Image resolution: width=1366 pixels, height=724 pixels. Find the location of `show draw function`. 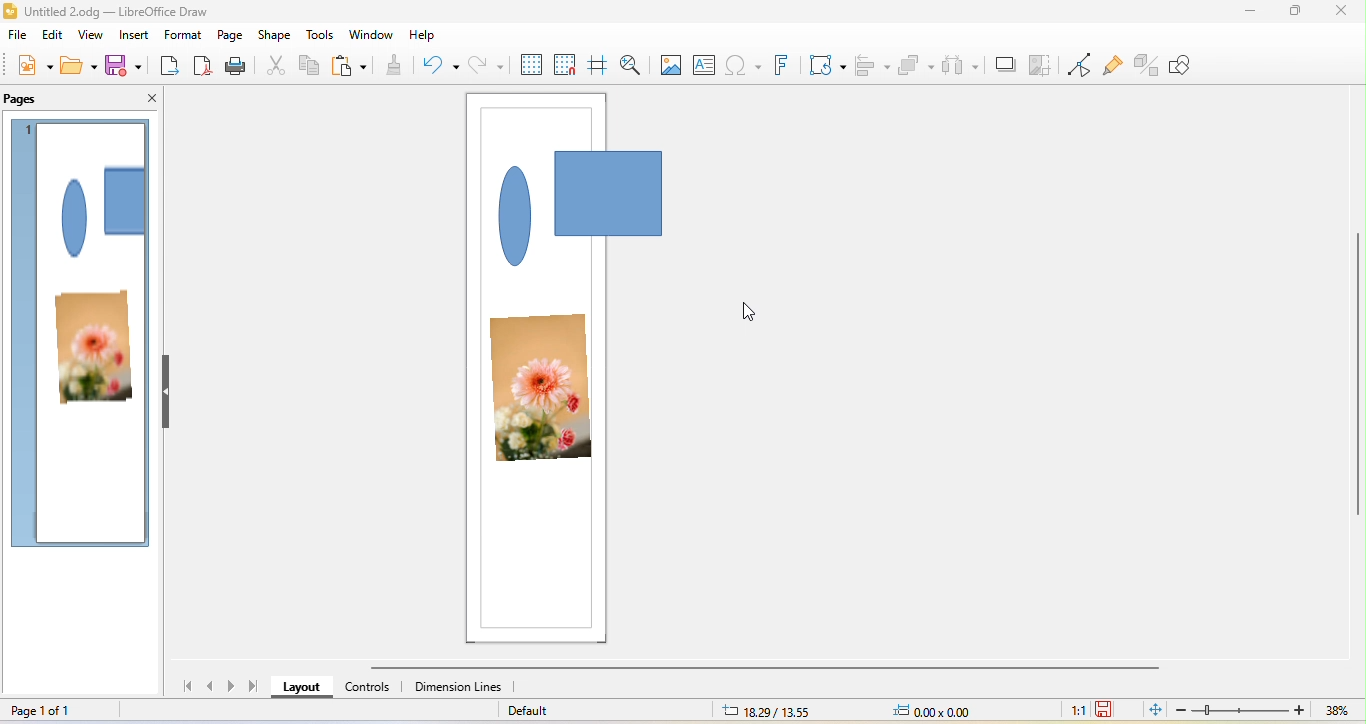

show draw function is located at coordinates (1192, 67).